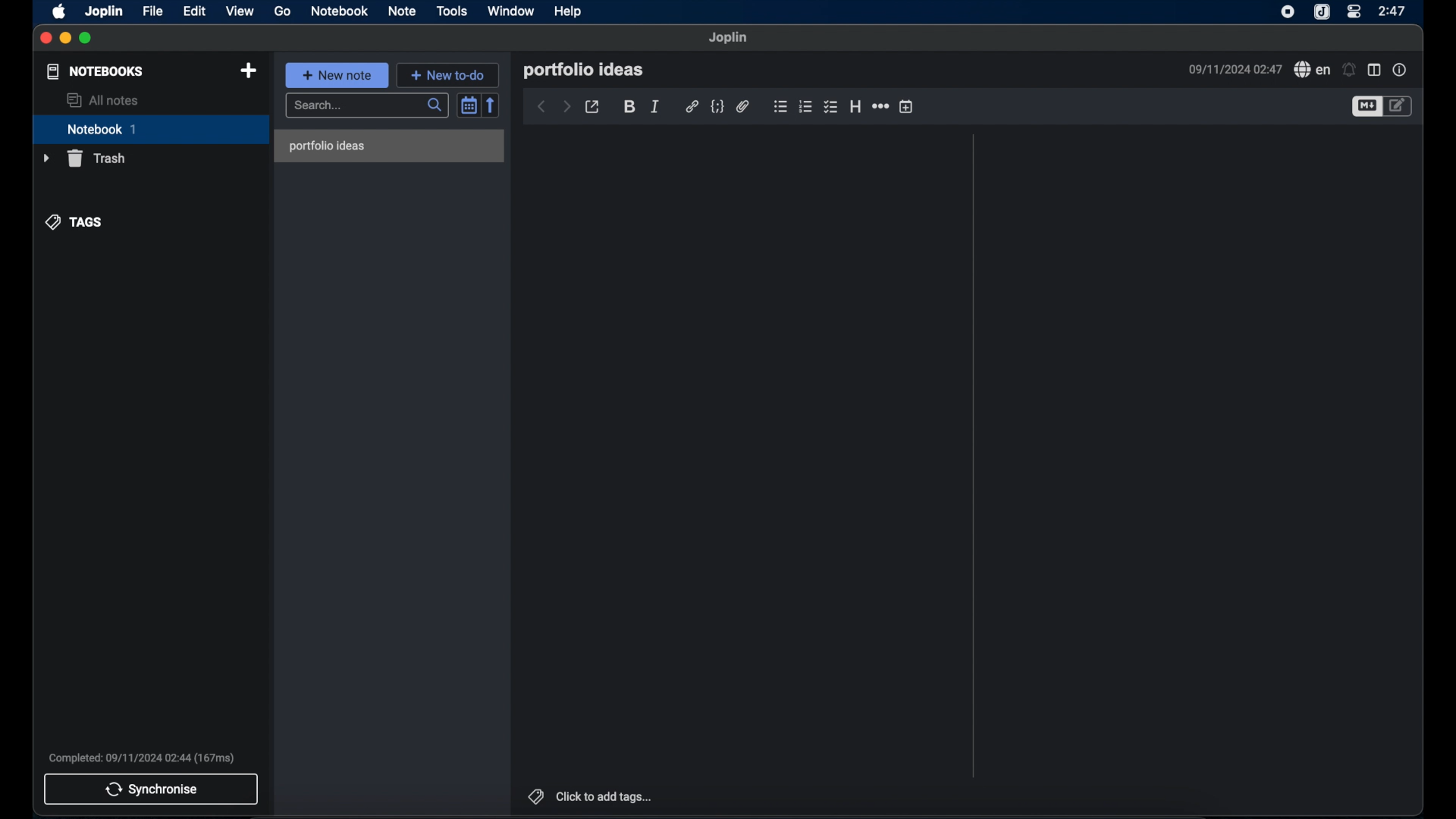 The image size is (1456, 819). Describe the element at coordinates (629, 107) in the screenshot. I see `bold` at that location.